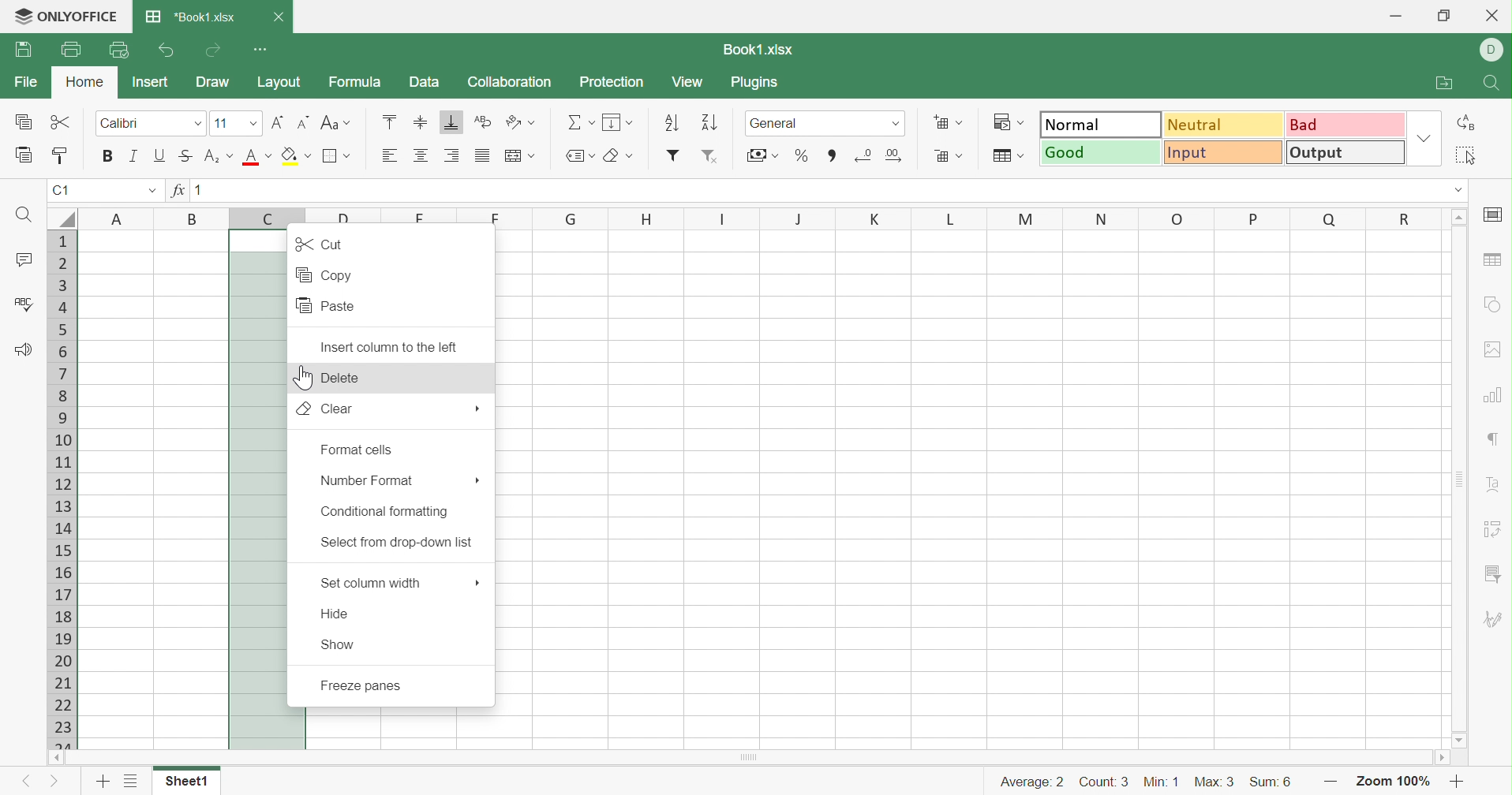  What do you see at coordinates (628, 155) in the screenshot?
I see `Drop Down` at bounding box center [628, 155].